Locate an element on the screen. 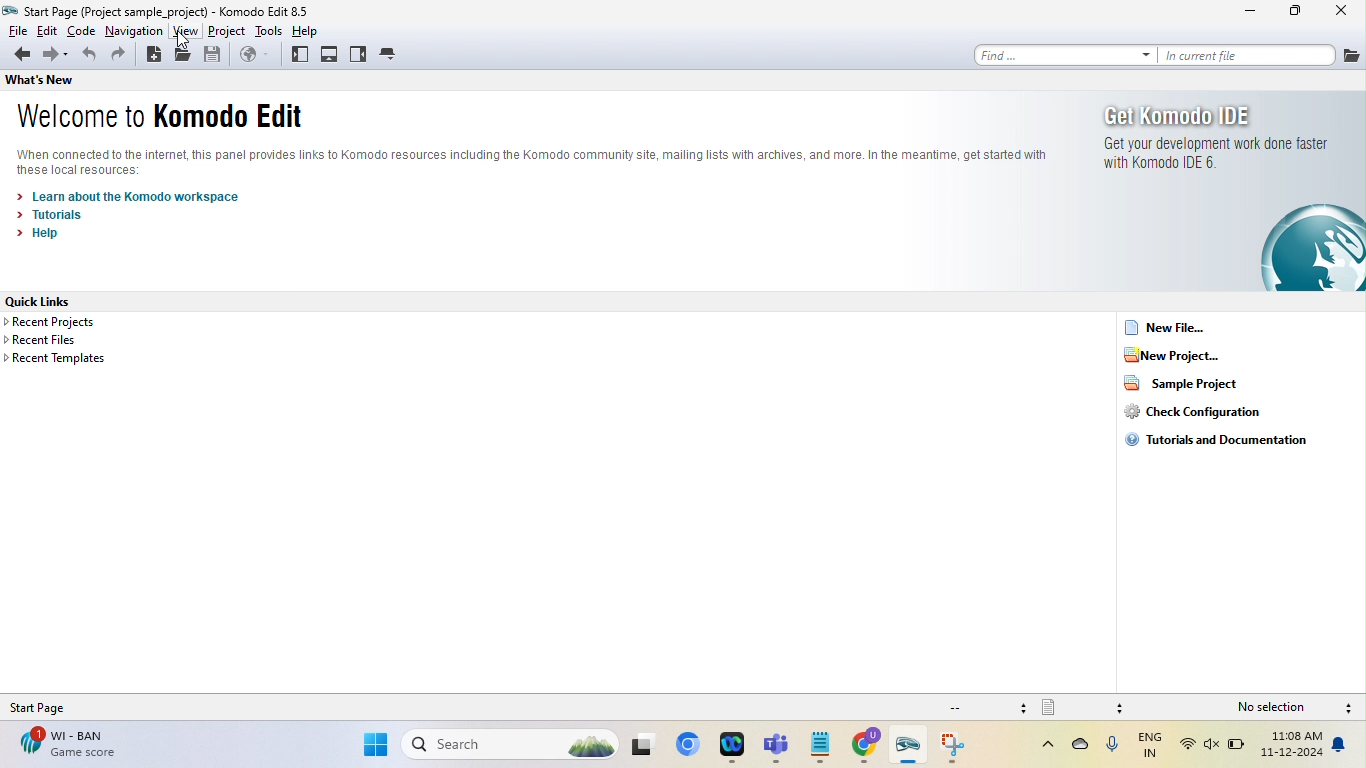 This screenshot has height=768, width=1366. connect to internet to view related resources is located at coordinates (541, 160).